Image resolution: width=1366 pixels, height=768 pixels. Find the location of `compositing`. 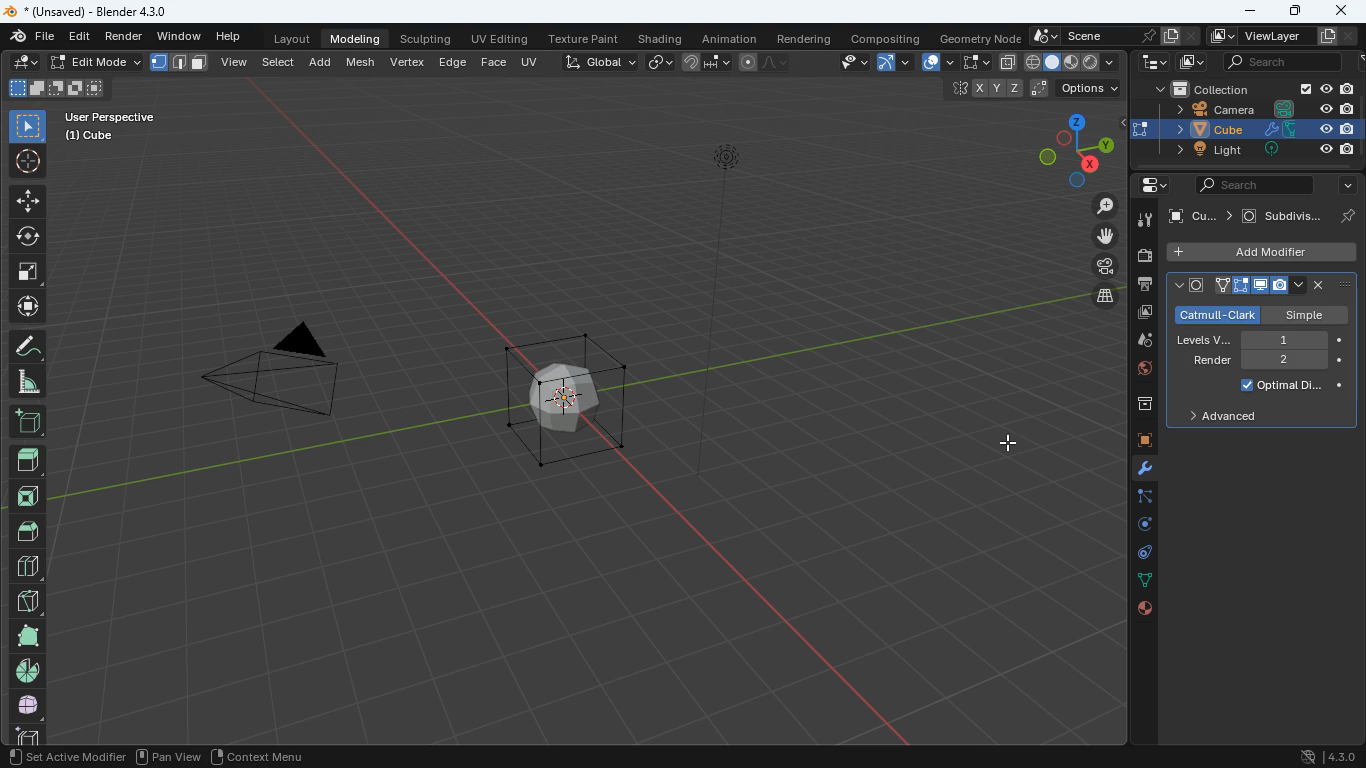

compositing is located at coordinates (884, 39).